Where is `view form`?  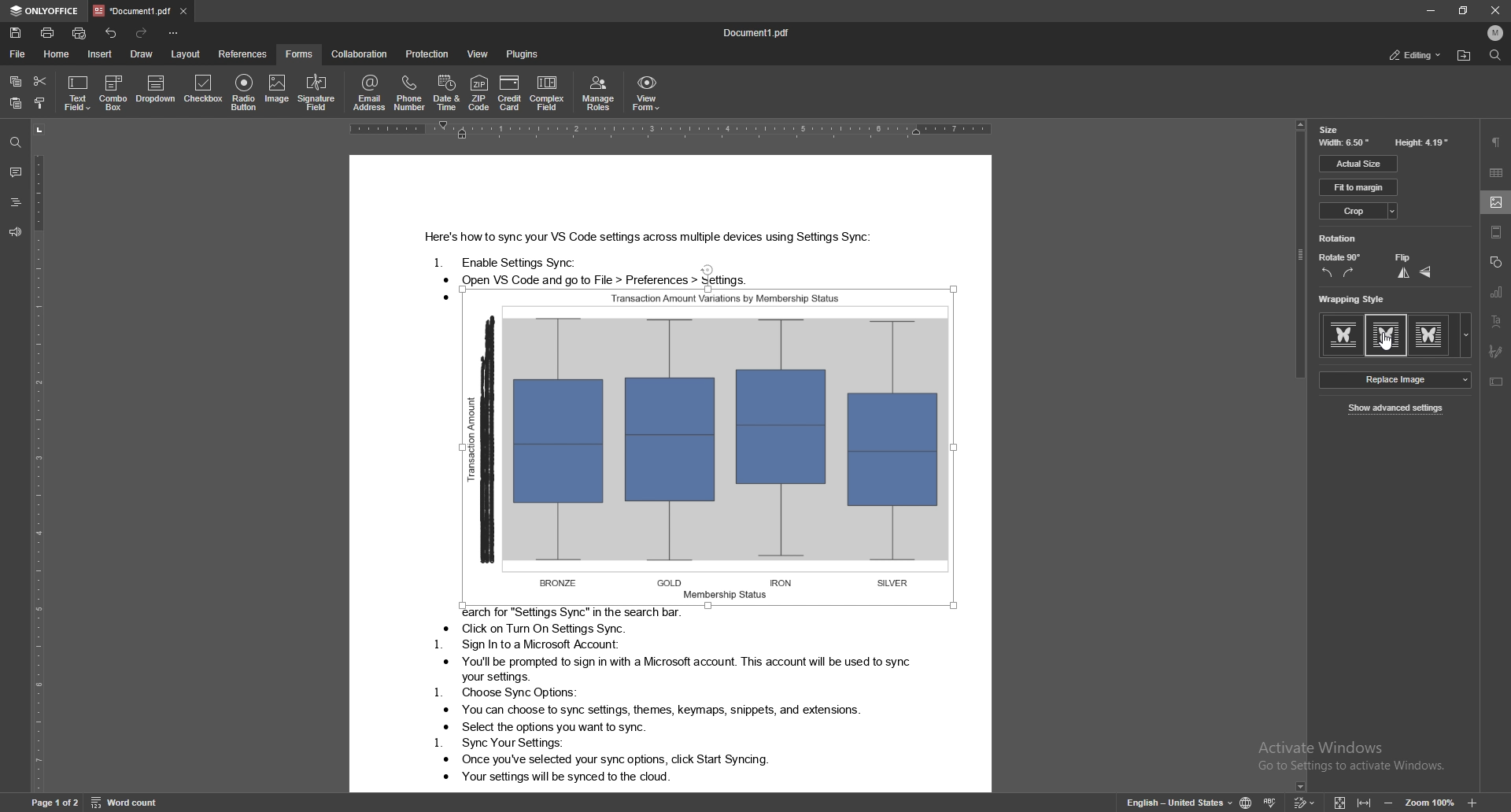 view form is located at coordinates (648, 92).